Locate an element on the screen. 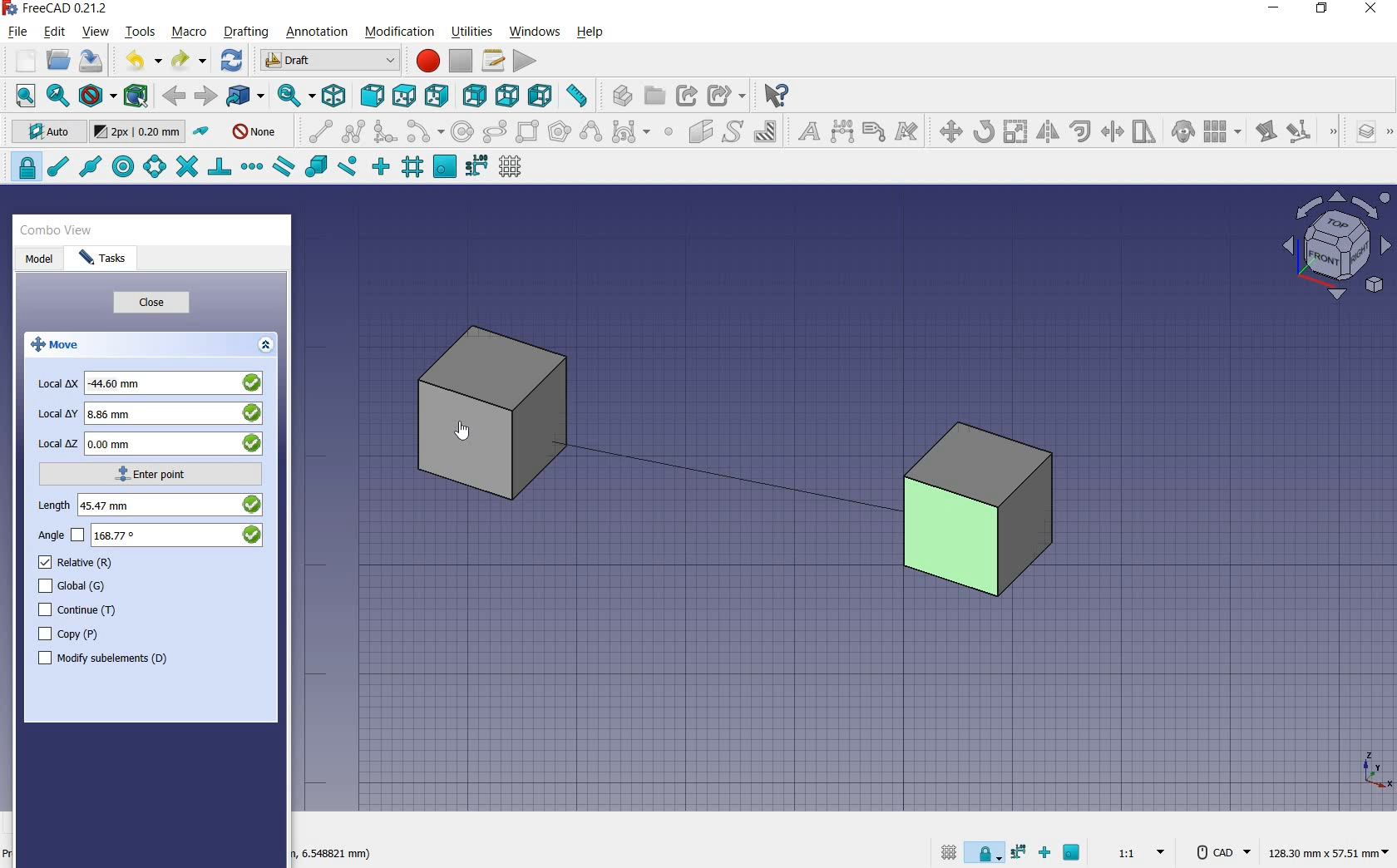 The height and width of the screenshot is (868, 1397). file is located at coordinates (19, 31).